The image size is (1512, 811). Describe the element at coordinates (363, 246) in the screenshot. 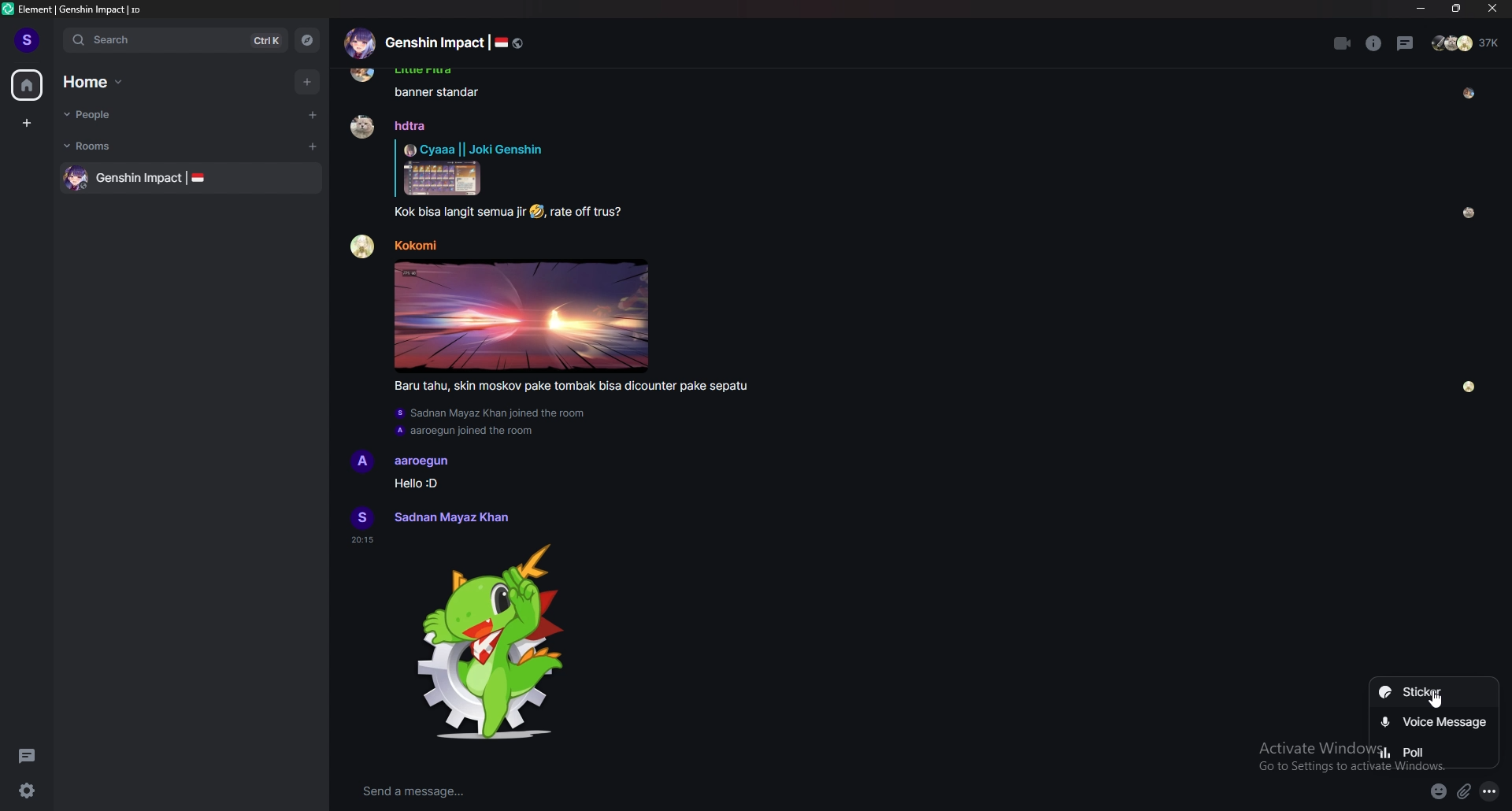

I see `Profile picture` at that location.